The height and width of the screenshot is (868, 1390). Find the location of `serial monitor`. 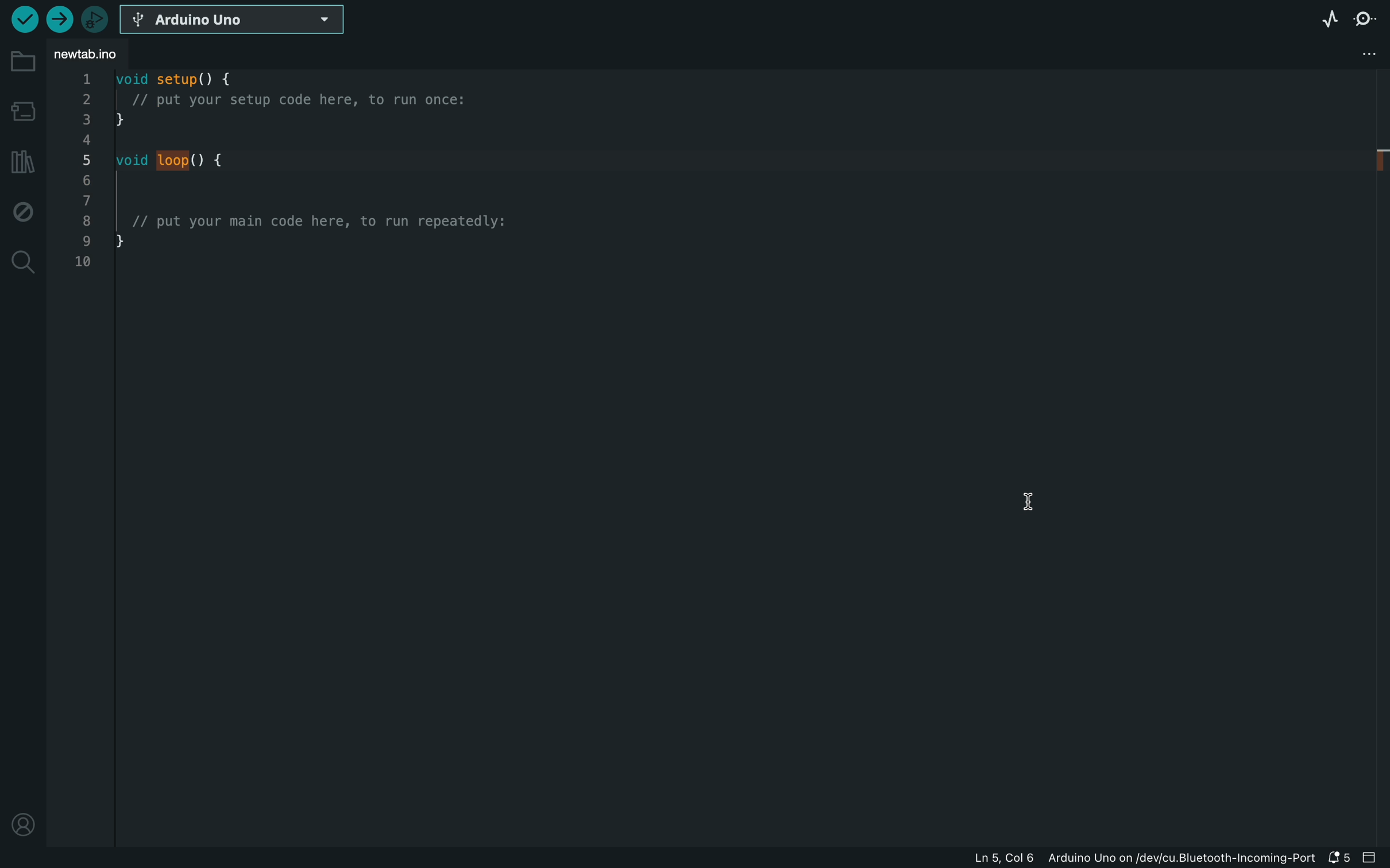

serial monitor is located at coordinates (1365, 18).